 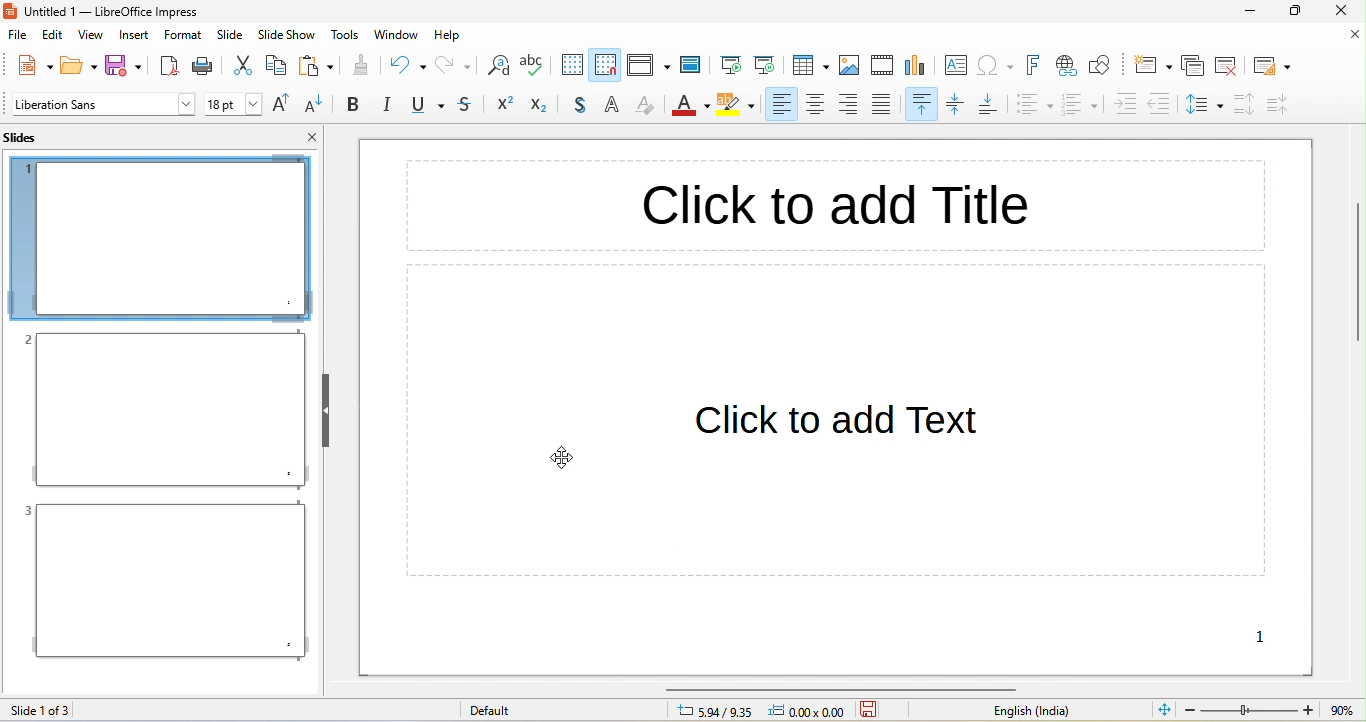 I want to click on current slide, so click(x=766, y=63).